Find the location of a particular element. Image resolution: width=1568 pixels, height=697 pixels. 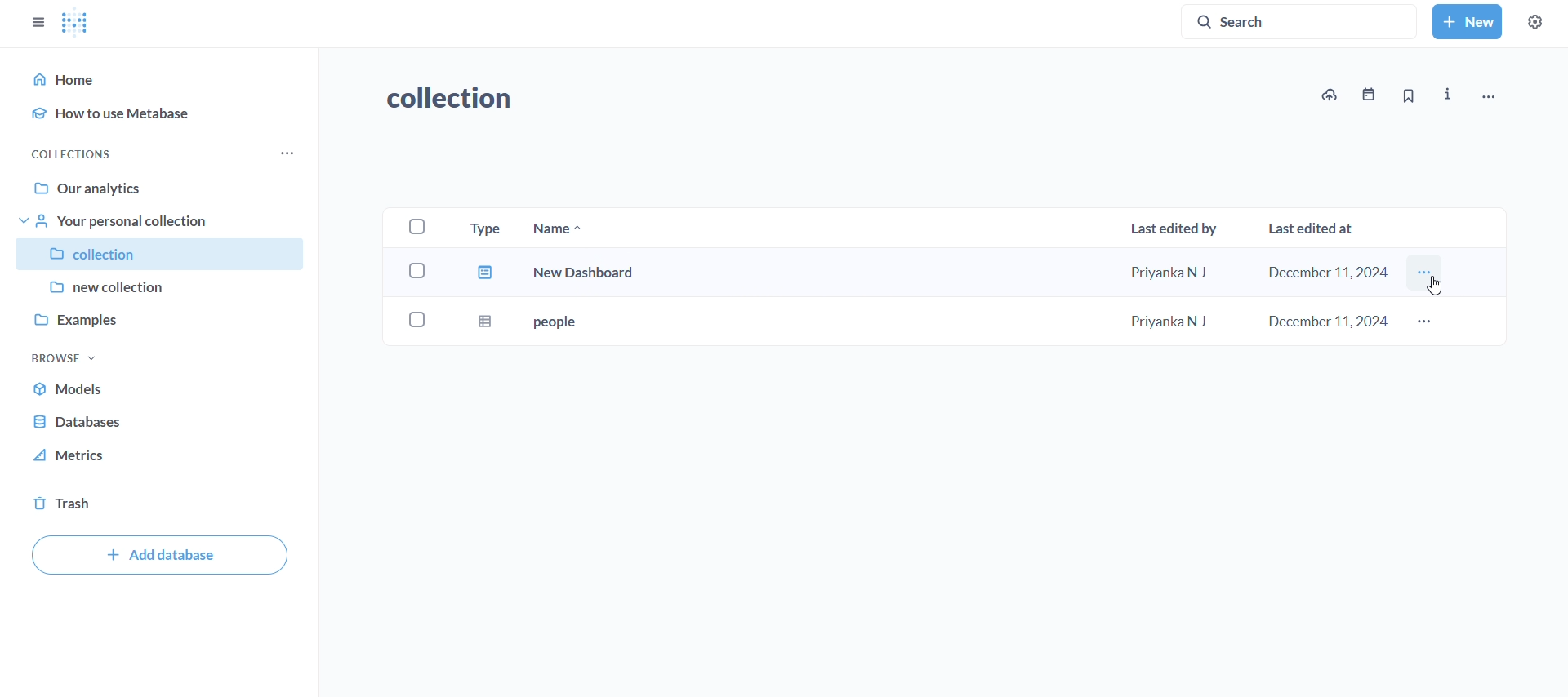

browse is located at coordinates (65, 357).